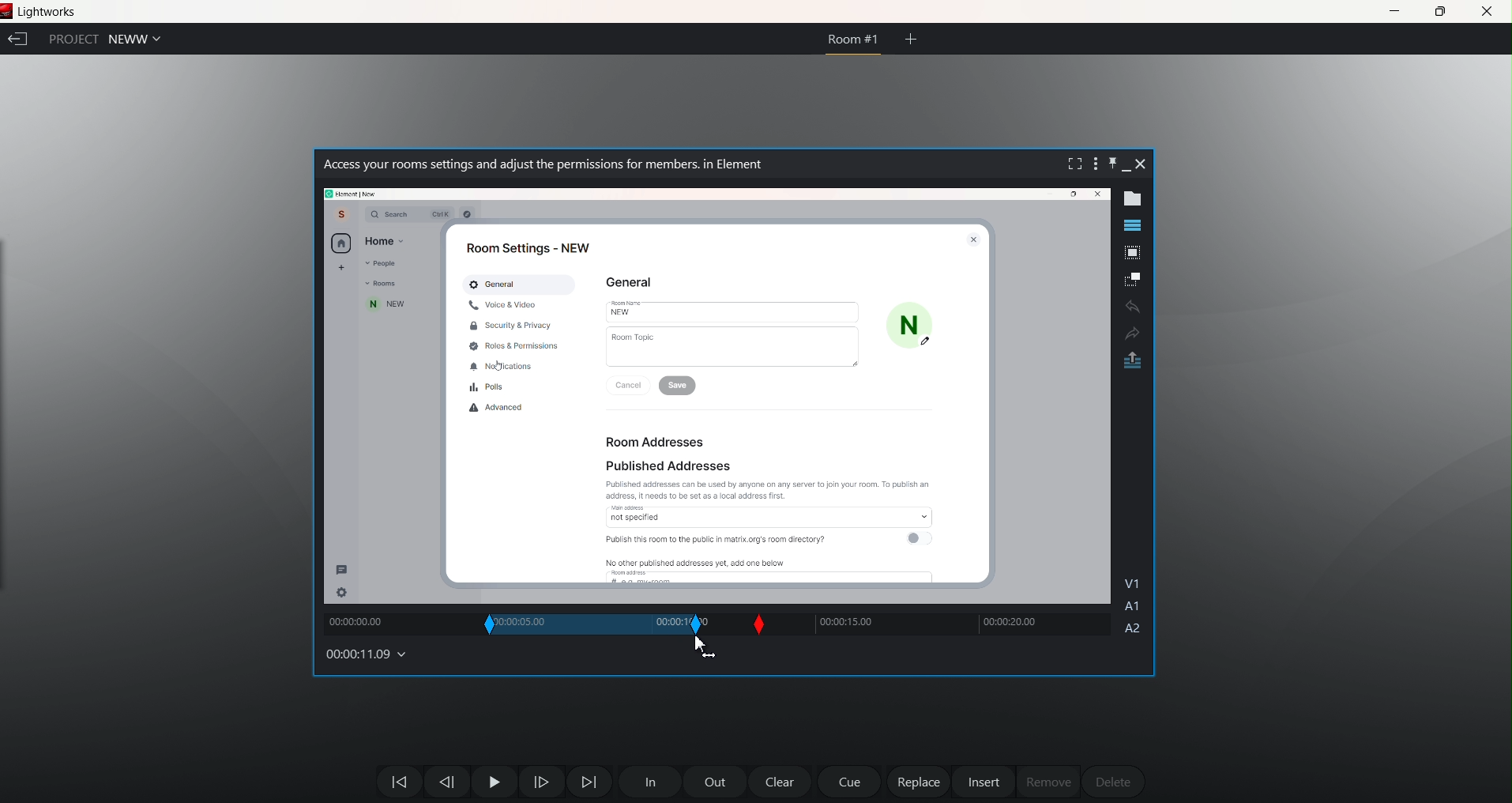 Image resolution: width=1512 pixels, height=803 pixels. Describe the element at coordinates (1135, 307) in the screenshot. I see `undo` at that location.